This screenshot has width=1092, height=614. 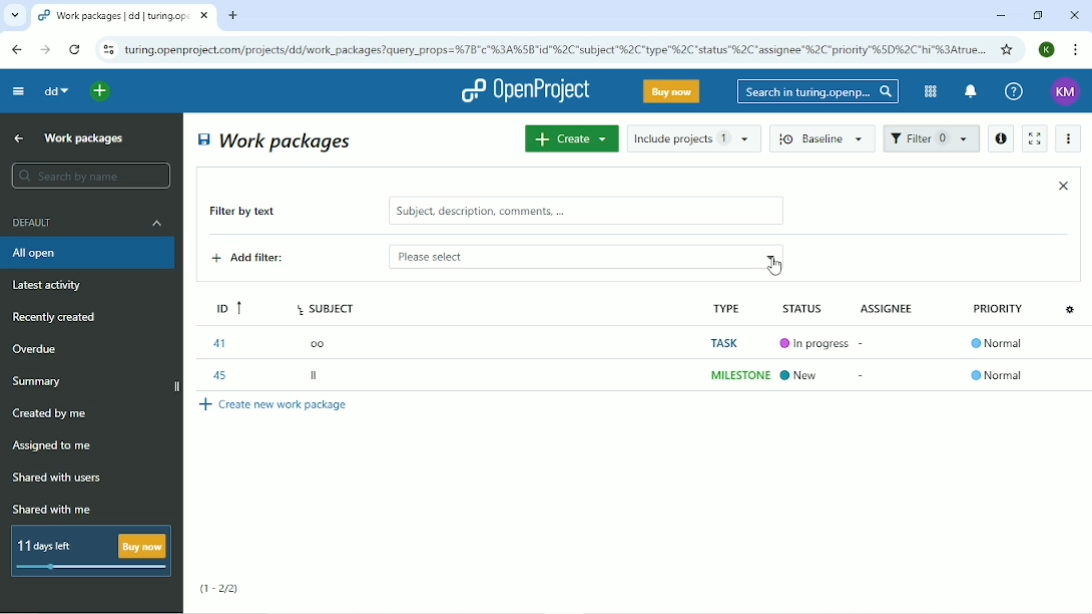 What do you see at coordinates (1070, 139) in the screenshot?
I see `More actions` at bounding box center [1070, 139].